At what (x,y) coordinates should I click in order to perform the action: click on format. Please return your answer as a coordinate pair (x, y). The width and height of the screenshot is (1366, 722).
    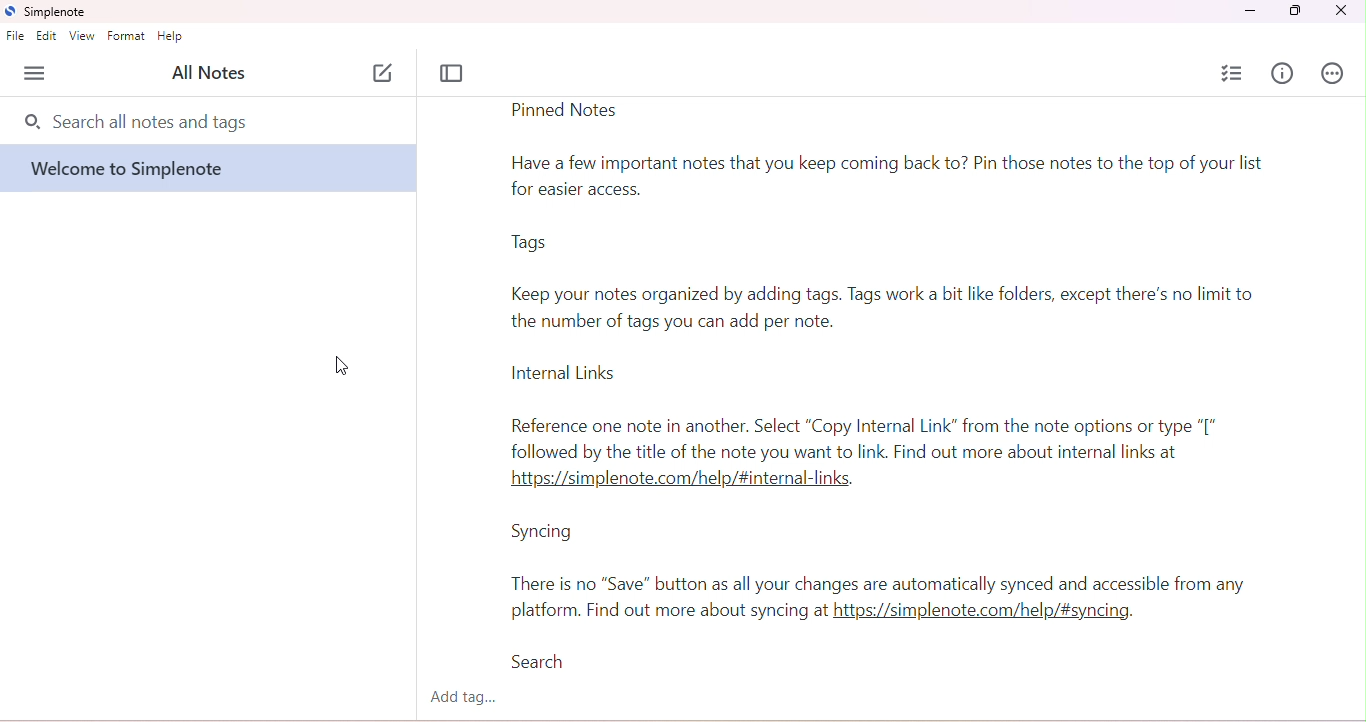
    Looking at the image, I should click on (127, 36).